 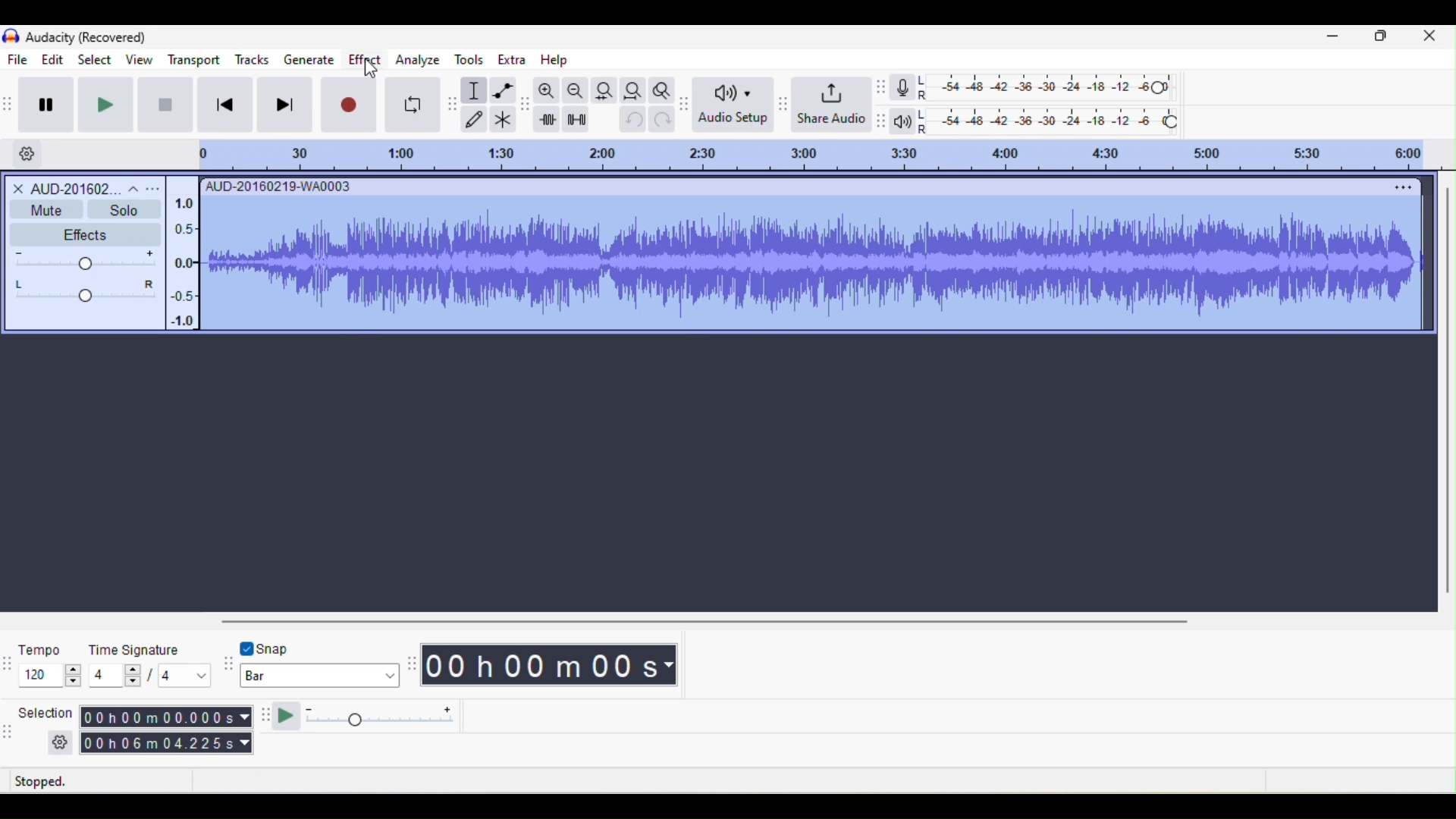 I want to click on amplitude, so click(x=184, y=264).